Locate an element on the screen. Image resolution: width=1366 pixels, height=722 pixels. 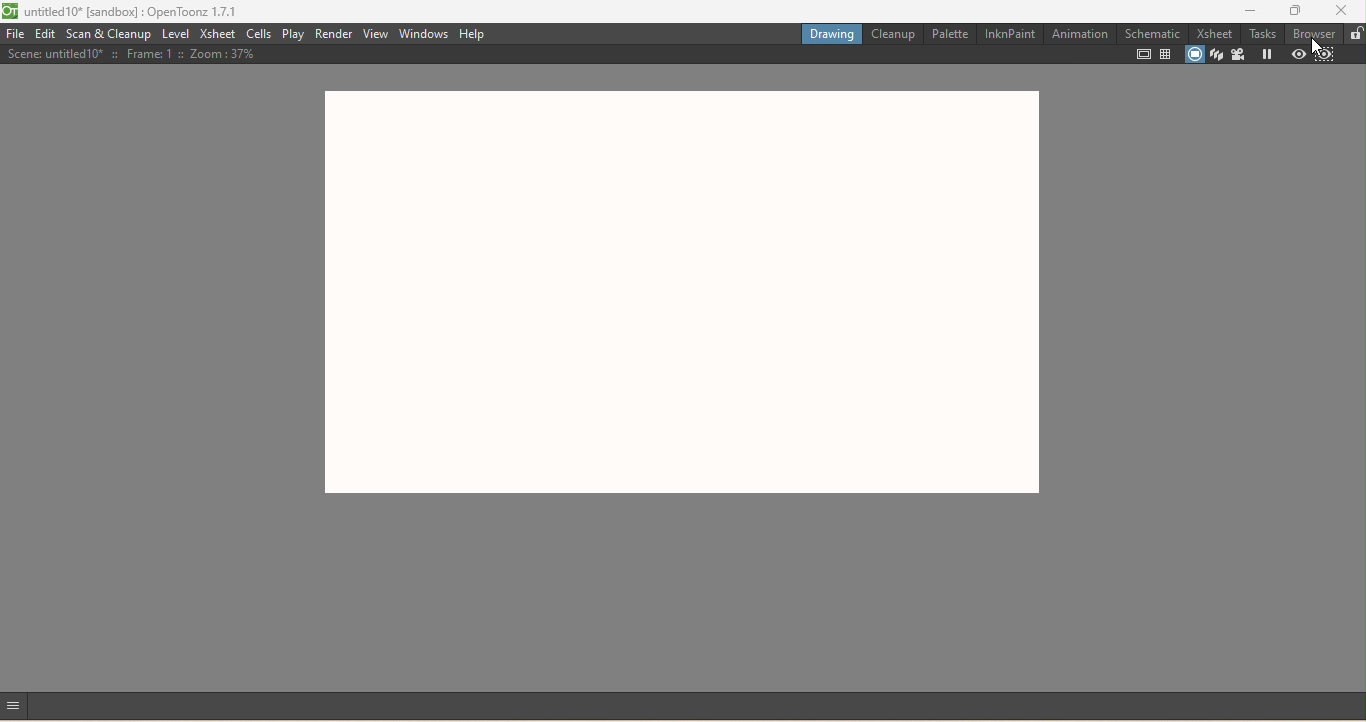
GUI show/hide is located at coordinates (17, 707).